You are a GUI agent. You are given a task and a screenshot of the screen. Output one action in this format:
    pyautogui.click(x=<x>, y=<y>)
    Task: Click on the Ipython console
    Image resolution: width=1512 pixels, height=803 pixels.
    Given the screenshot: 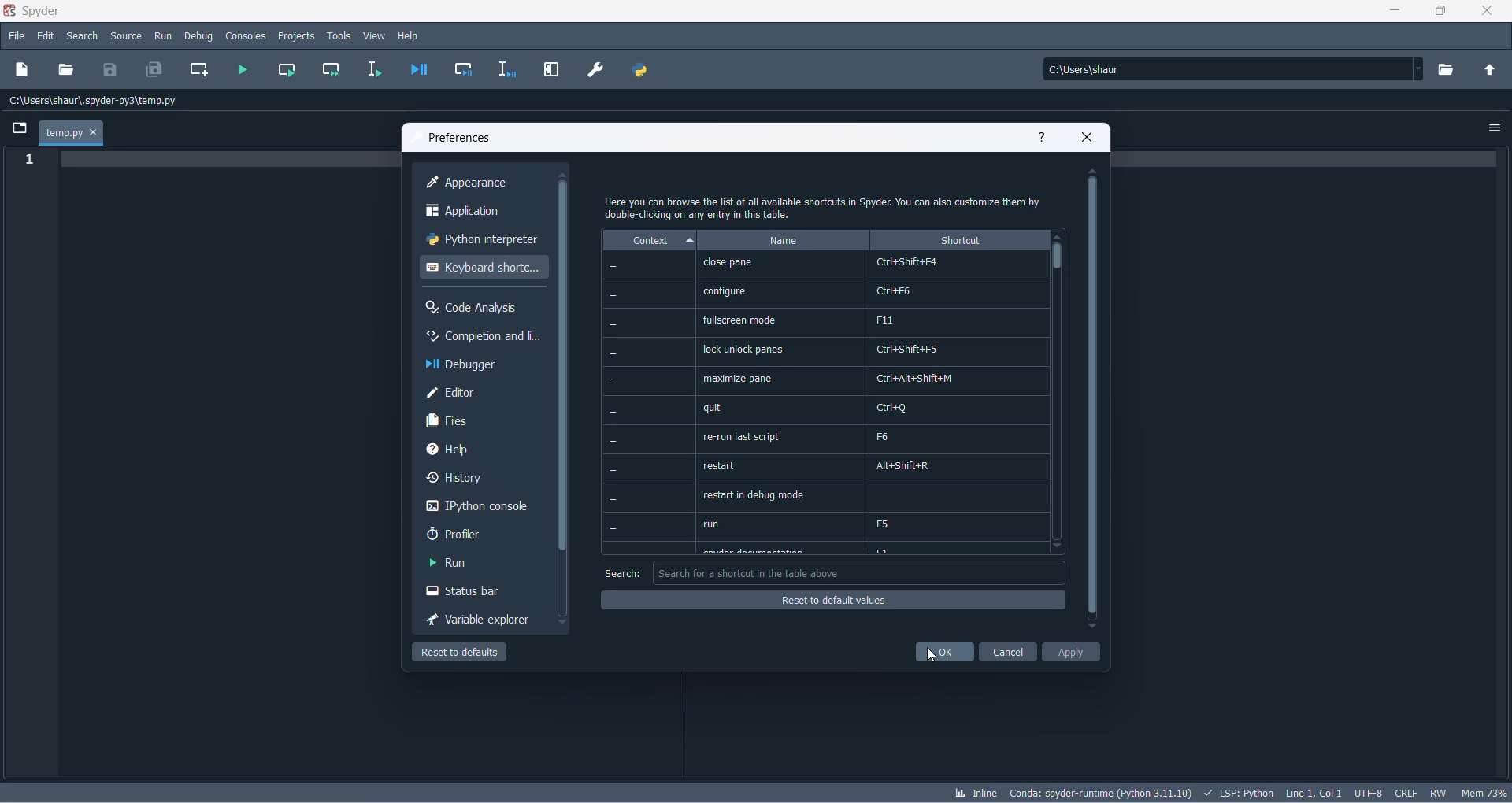 What is the action you would take?
    pyautogui.click(x=479, y=509)
    